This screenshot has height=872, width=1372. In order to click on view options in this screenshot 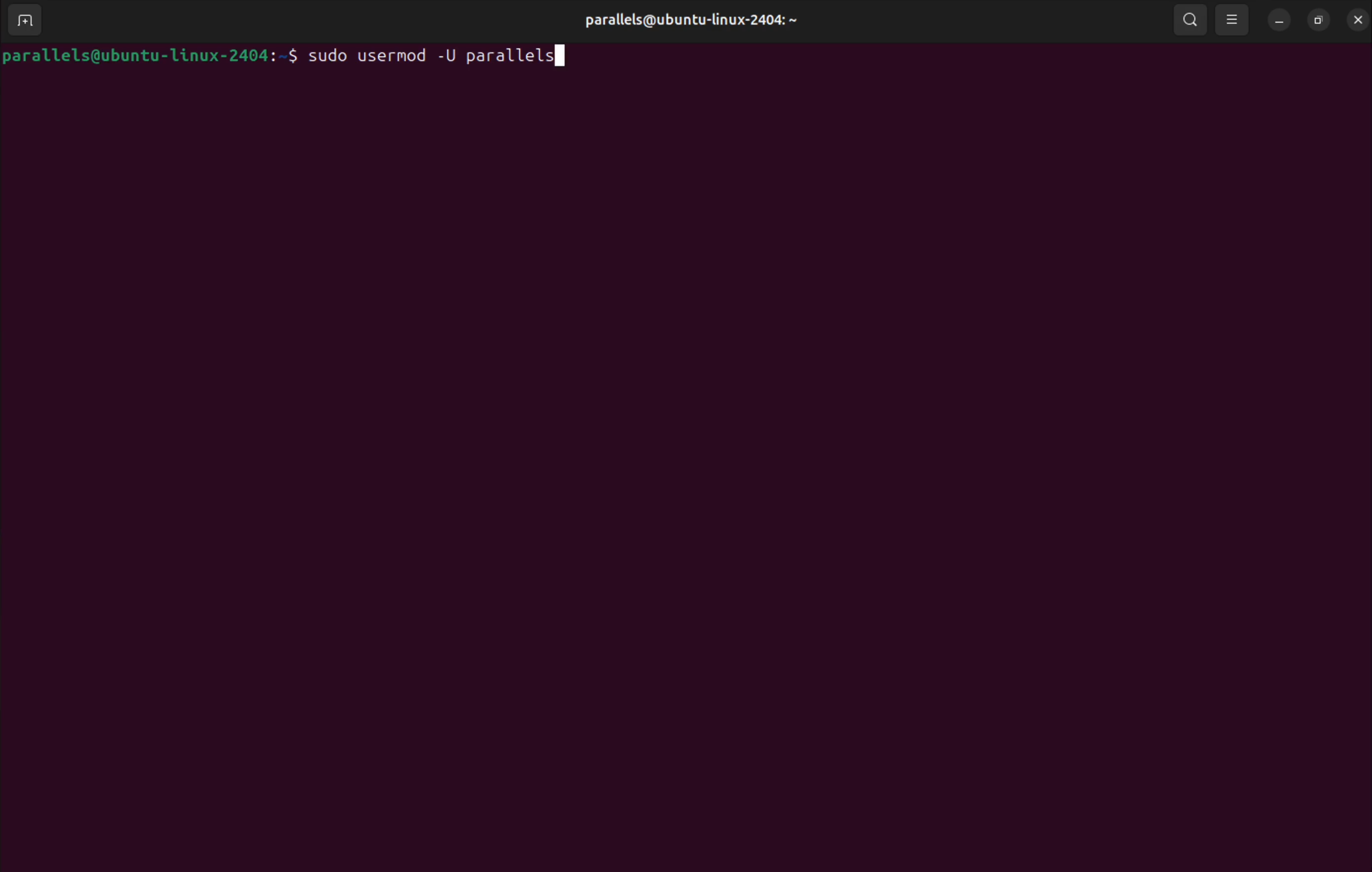, I will do `click(1234, 19)`.